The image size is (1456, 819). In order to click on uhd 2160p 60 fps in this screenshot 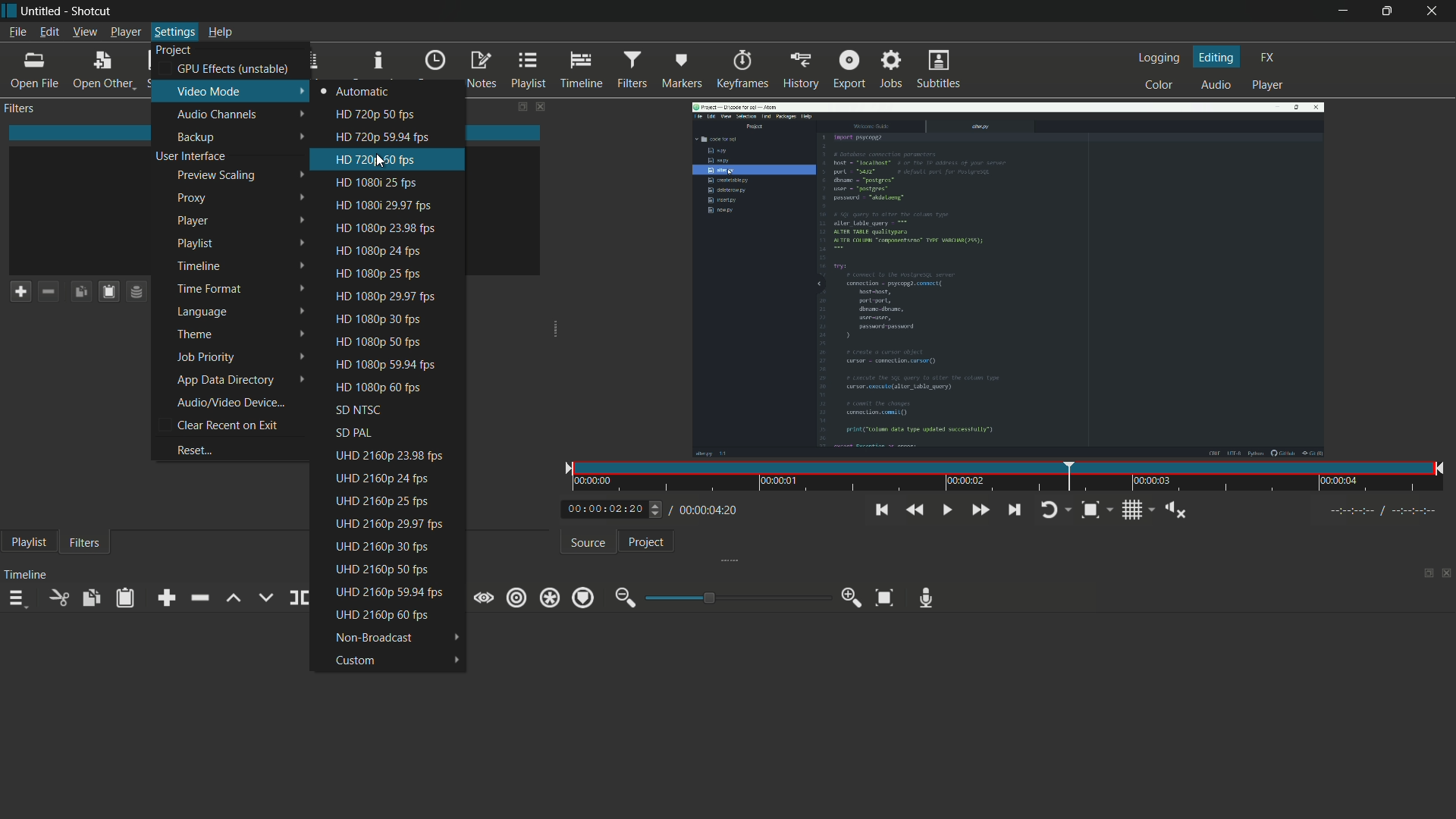, I will do `click(393, 615)`.